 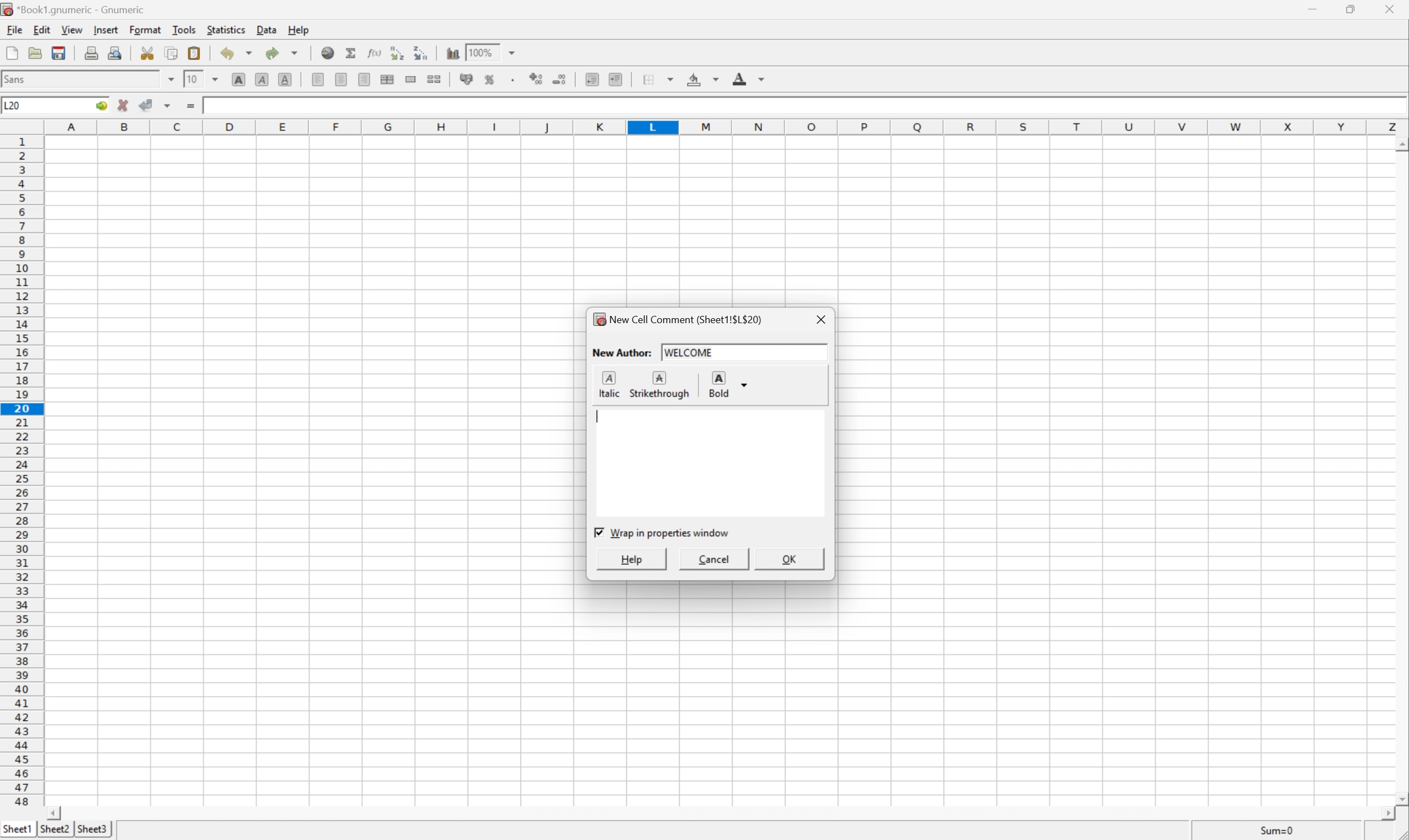 What do you see at coordinates (1400, 144) in the screenshot?
I see `Scroll Up` at bounding box center [1400, 144].